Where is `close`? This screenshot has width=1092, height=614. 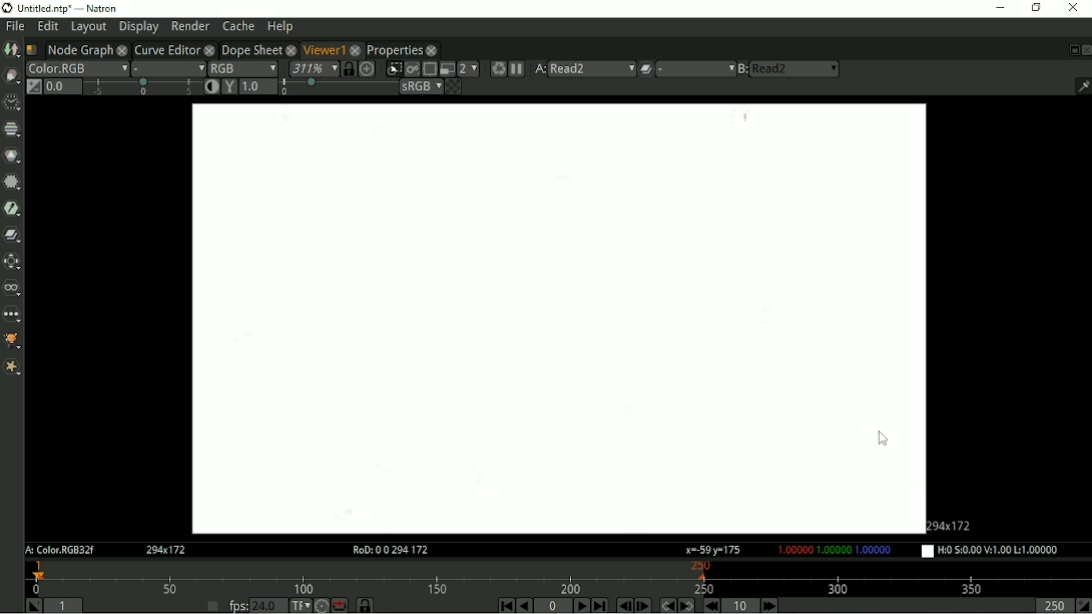
close is located at coordinates (432, 50).